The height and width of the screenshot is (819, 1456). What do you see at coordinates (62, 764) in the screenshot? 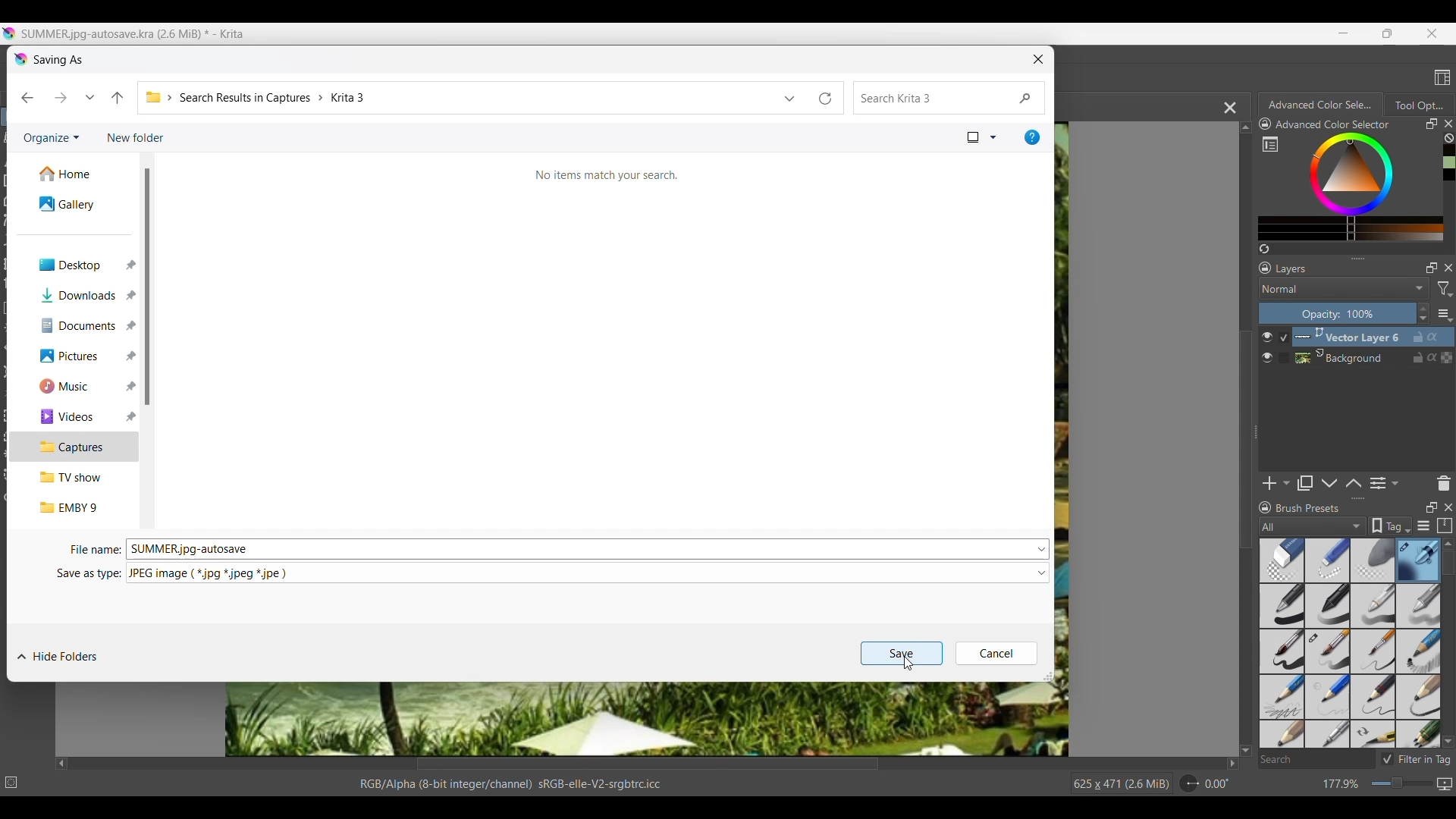
I see `Quick slide to left` at bounding box center [62, 764].